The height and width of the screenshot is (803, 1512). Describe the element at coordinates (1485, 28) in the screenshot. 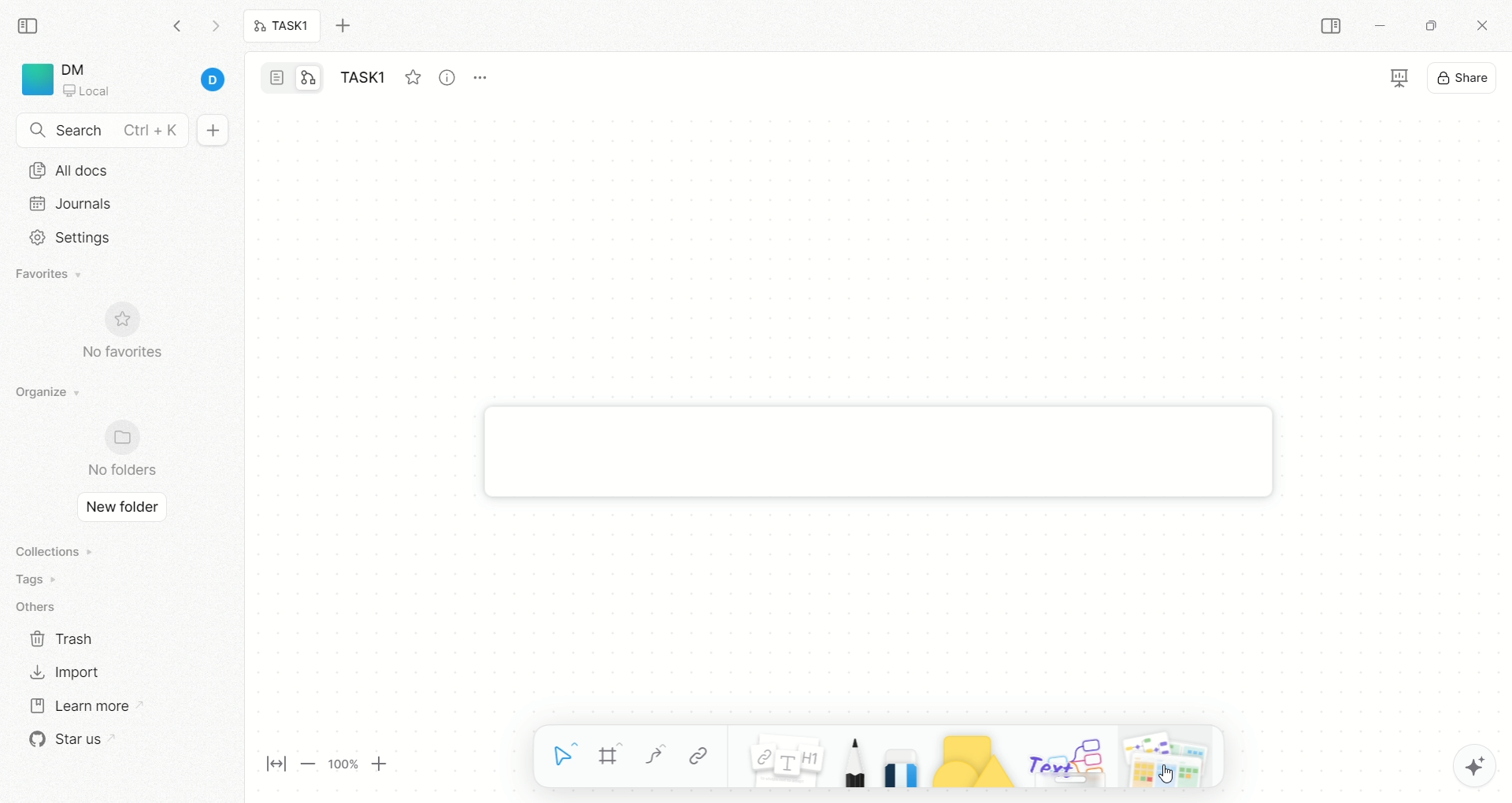

I see `close` at that location.